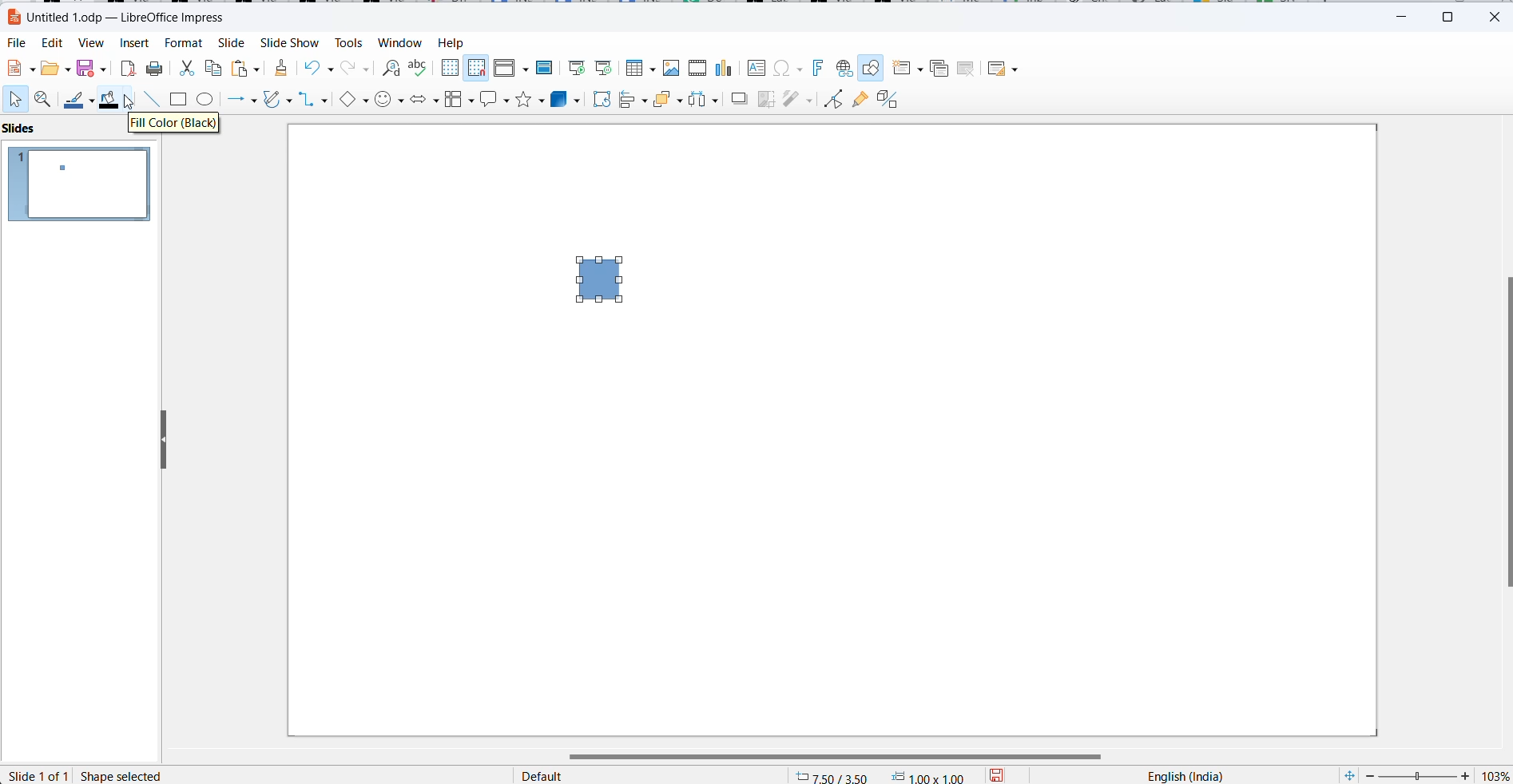 The image size is (1513, 784). I want to click on Show draw functions, so click(872, 69).